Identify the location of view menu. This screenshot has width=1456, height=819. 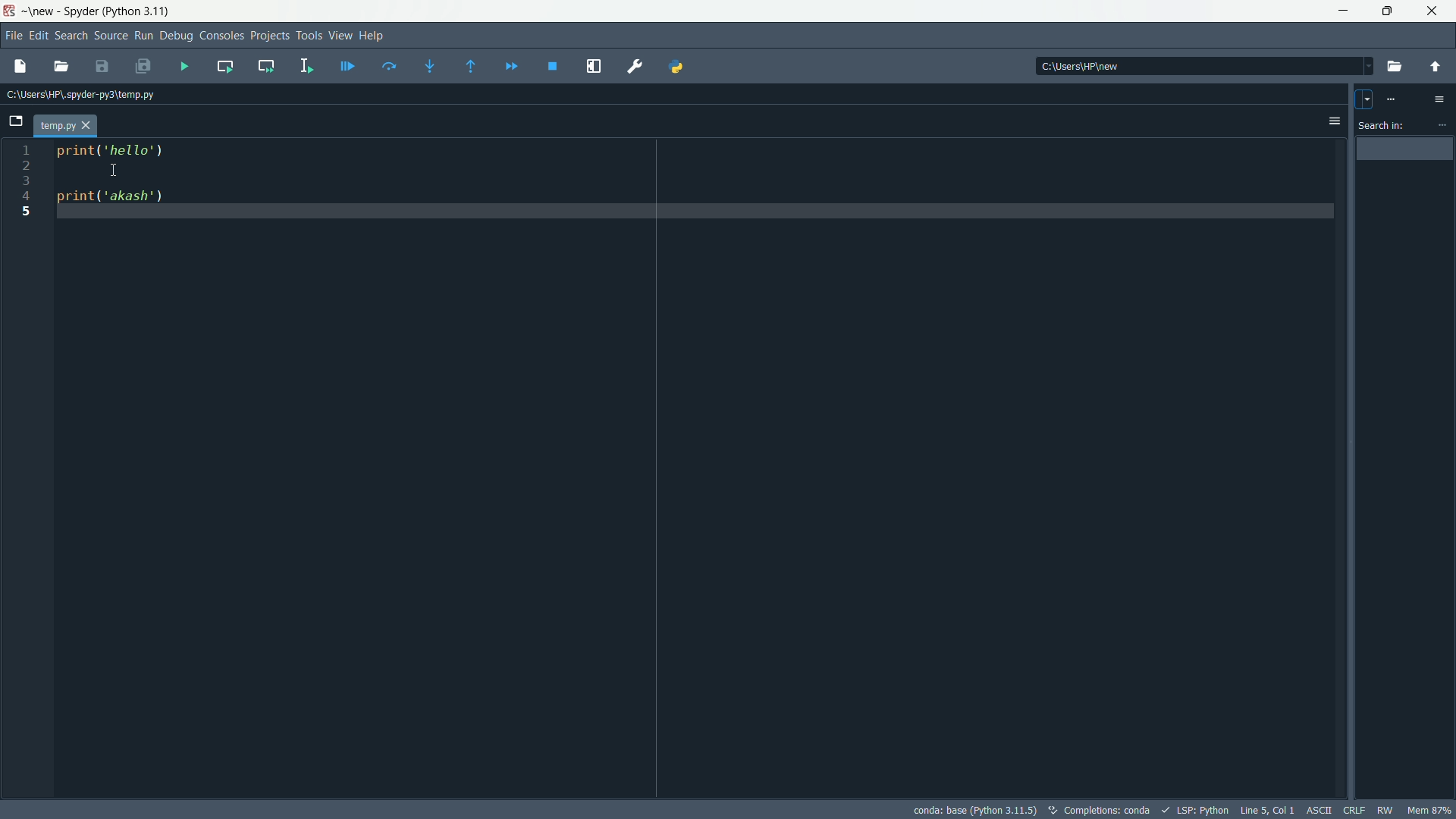
(340, 36).